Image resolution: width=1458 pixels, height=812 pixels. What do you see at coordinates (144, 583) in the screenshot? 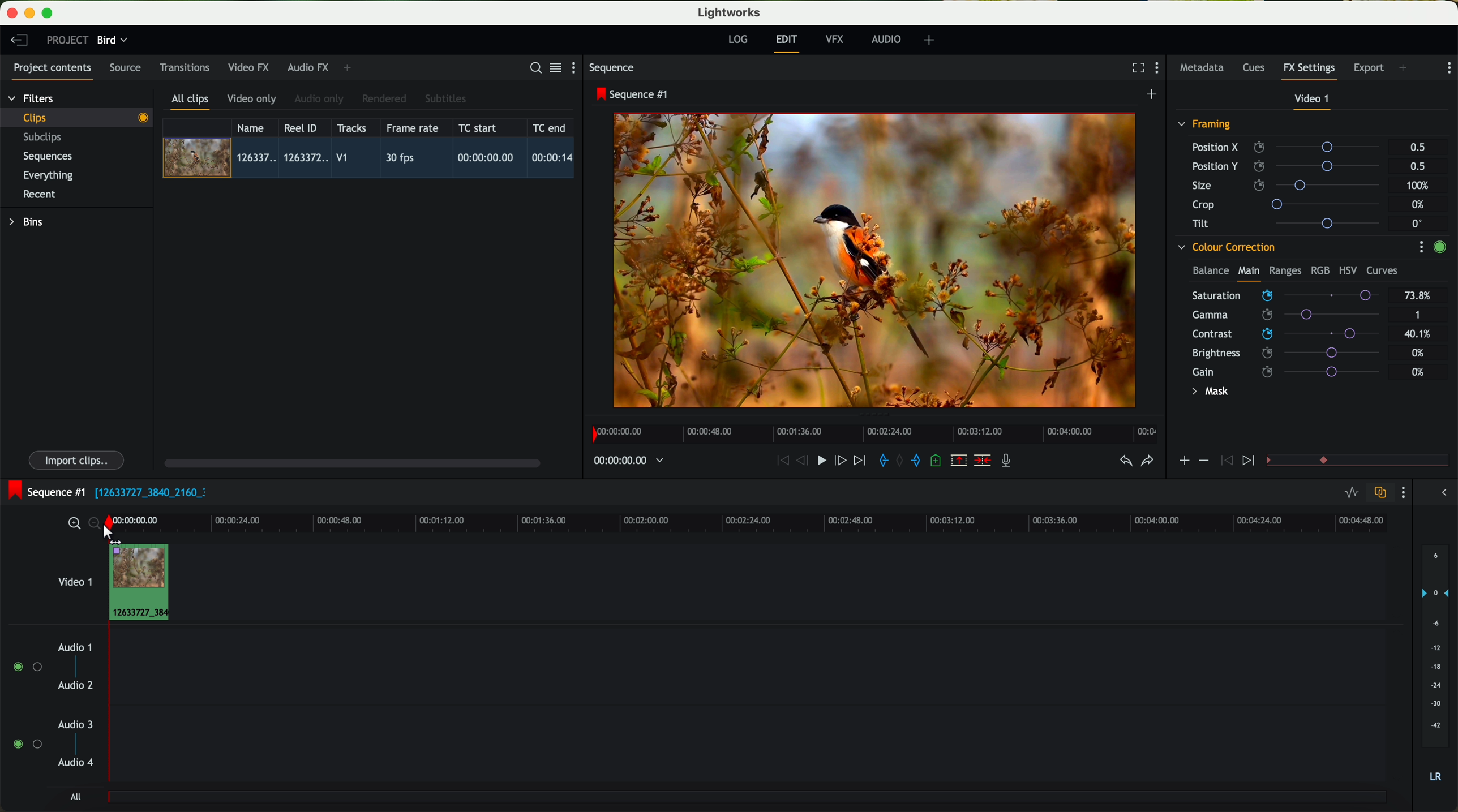
I see `drag video to video track 1` at bounding box center [144, 583].